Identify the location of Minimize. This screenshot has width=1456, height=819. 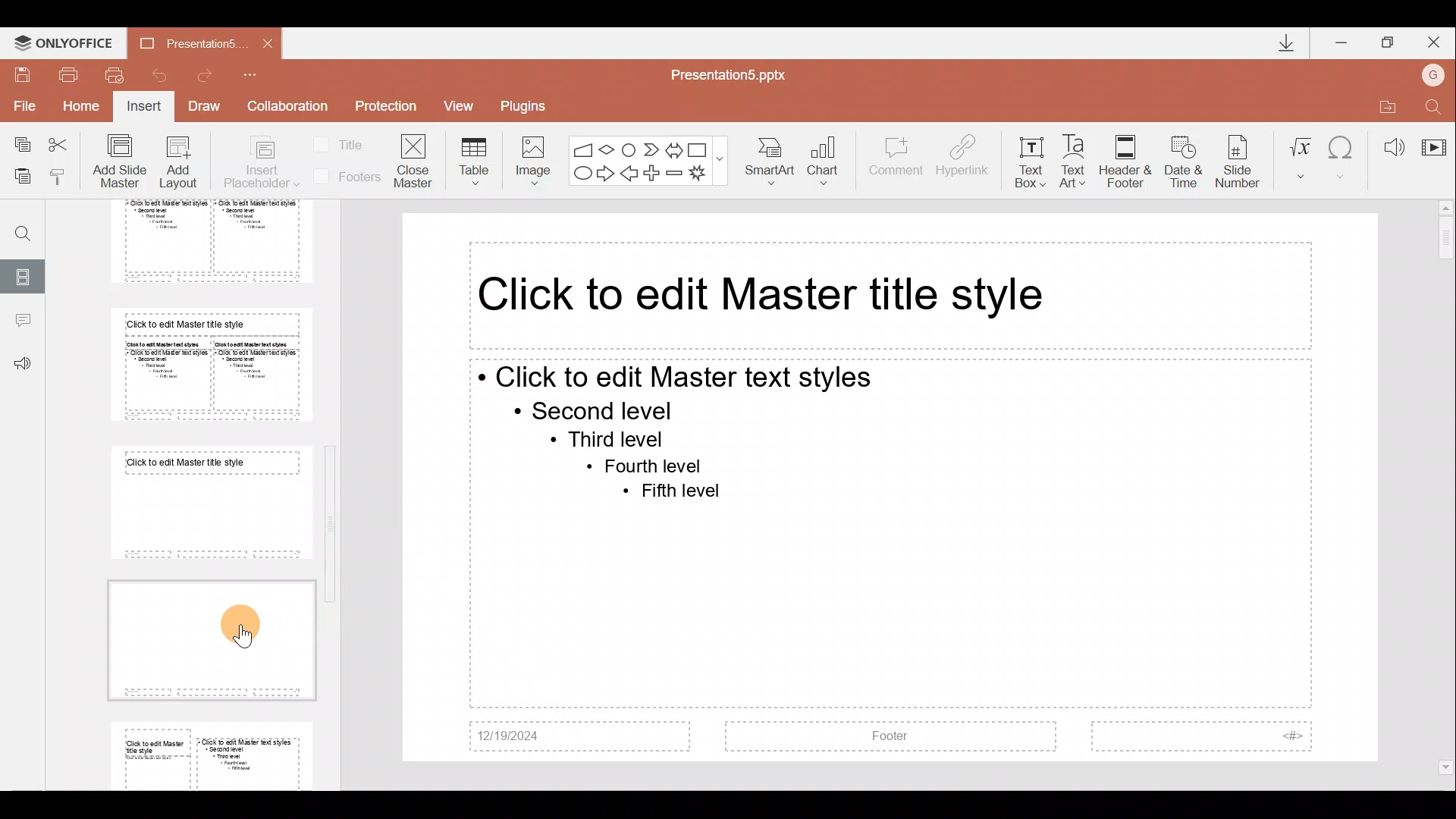
(1342, 39).